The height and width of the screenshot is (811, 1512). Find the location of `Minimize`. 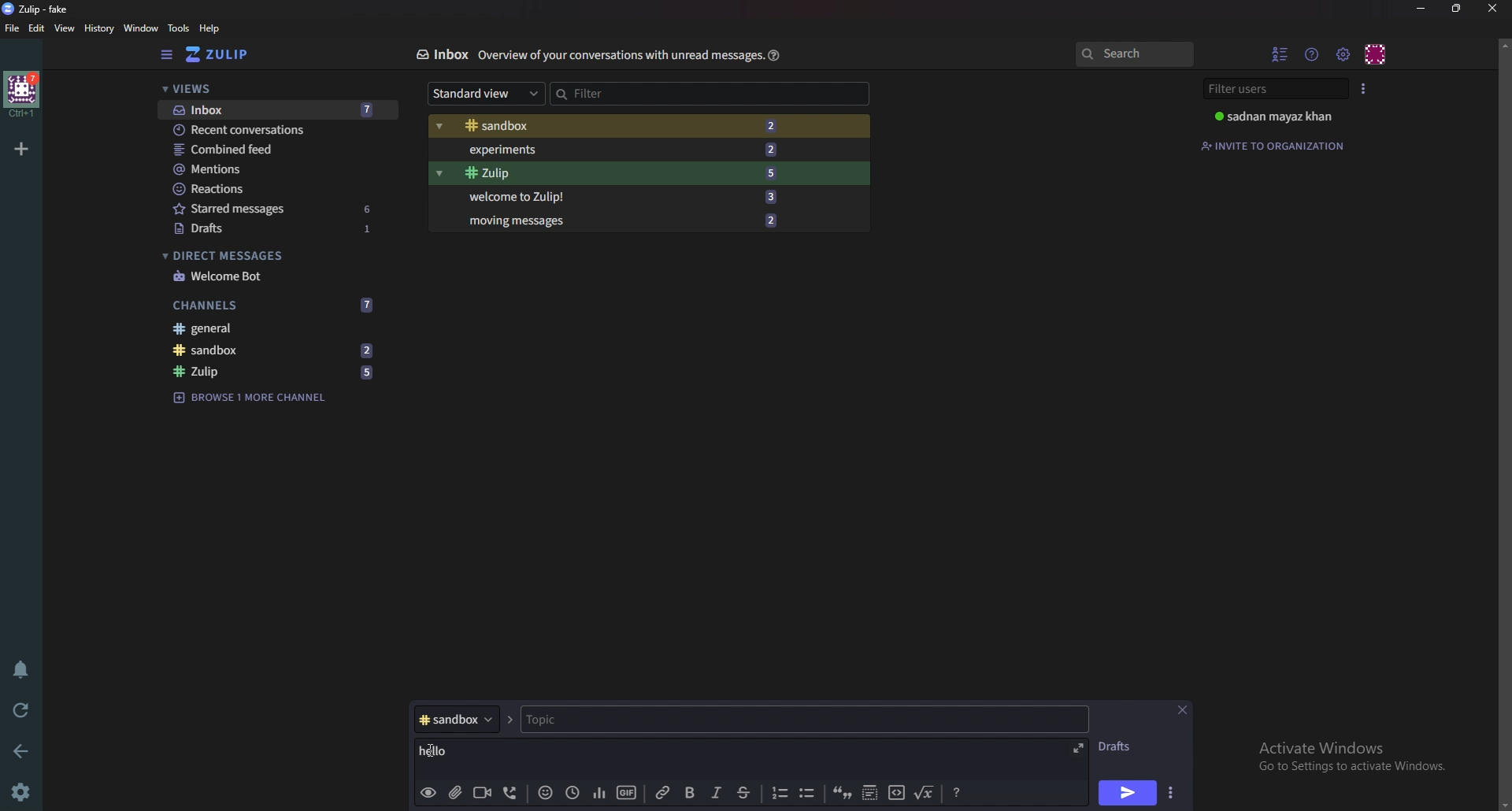

Minimize is located at coordinates (1421, 9).